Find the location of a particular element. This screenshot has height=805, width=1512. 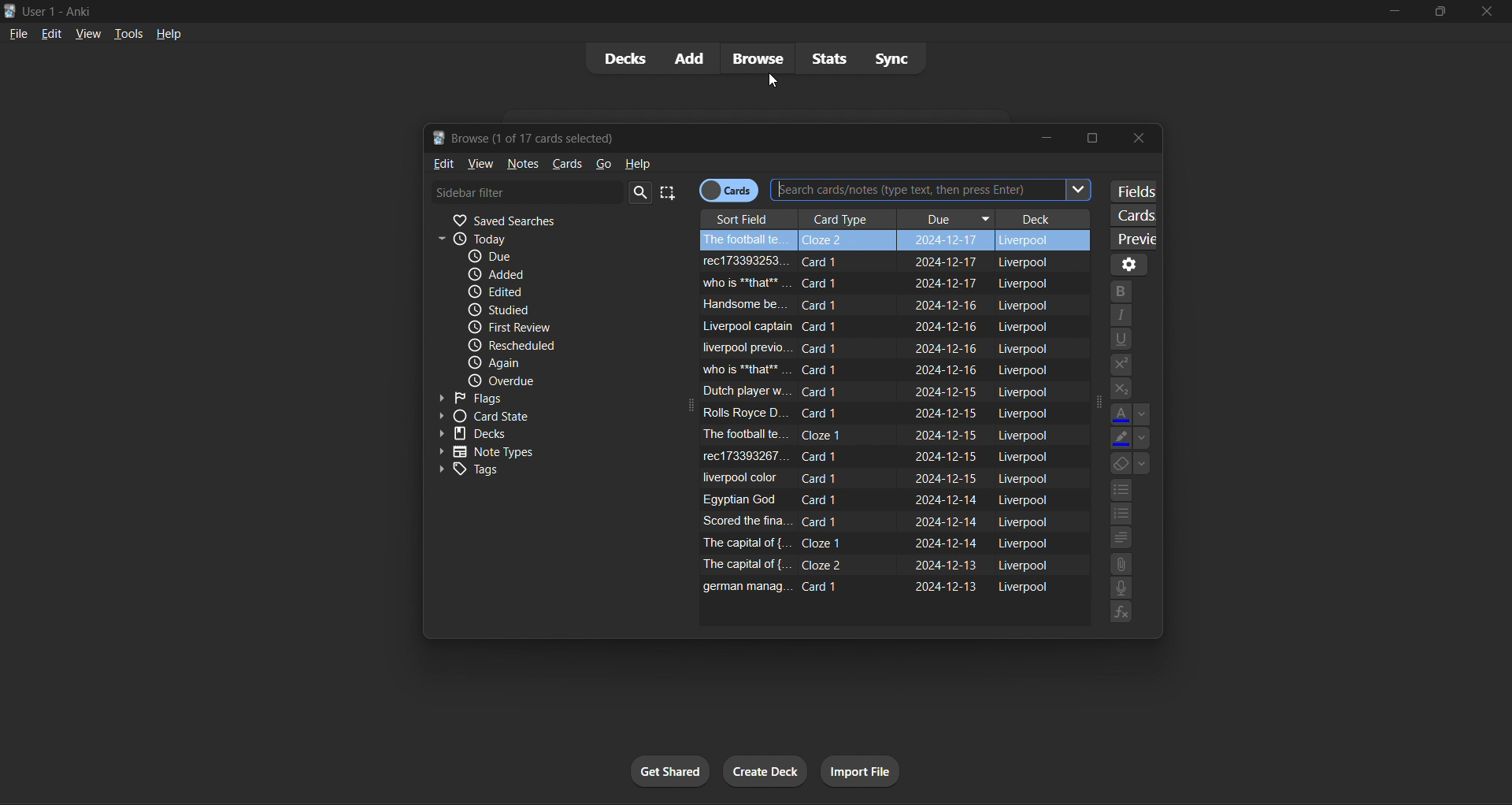

deck column is located at coordinates (1043, 217).